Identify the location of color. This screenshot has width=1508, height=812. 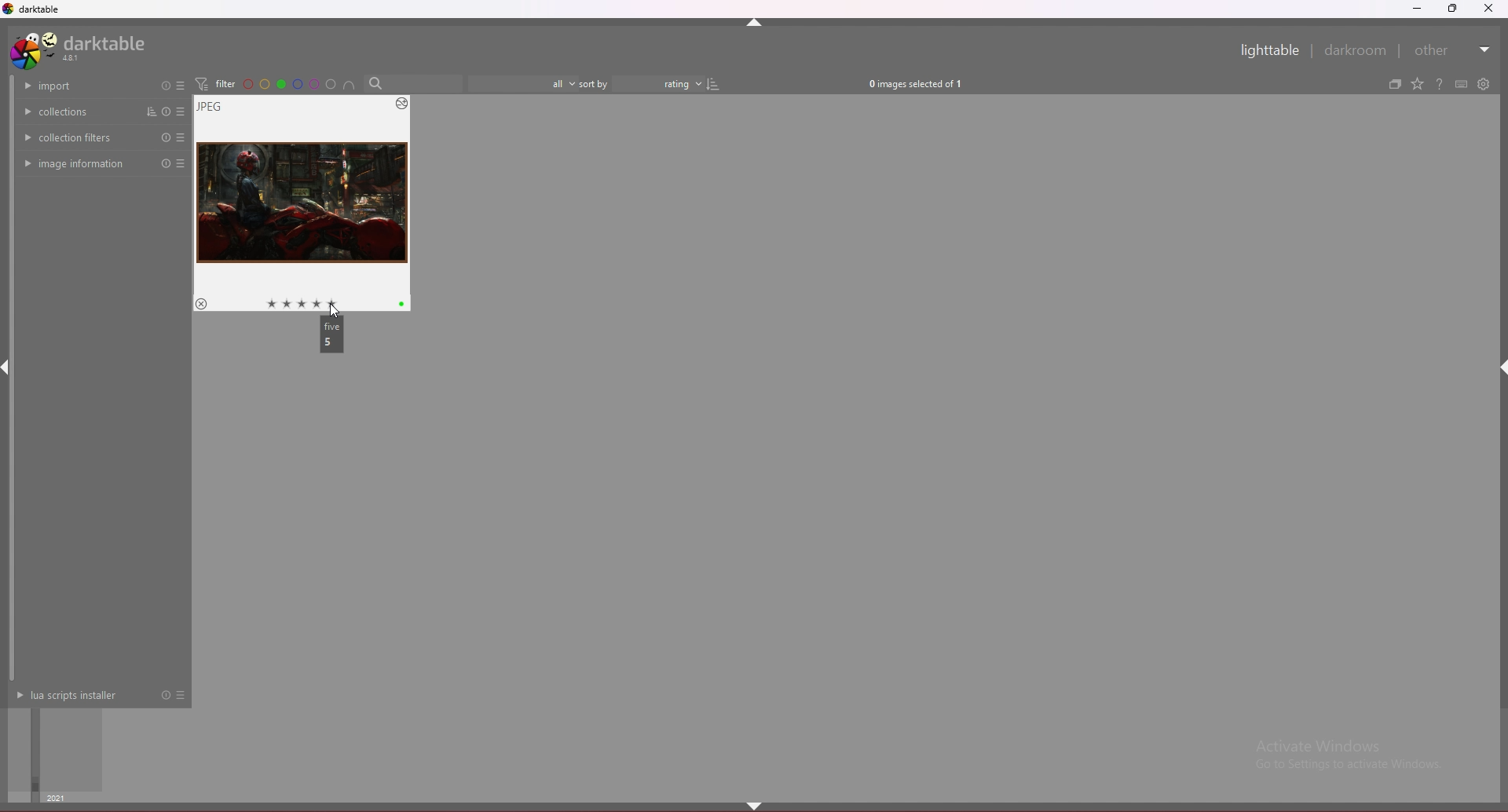
(402, 304).